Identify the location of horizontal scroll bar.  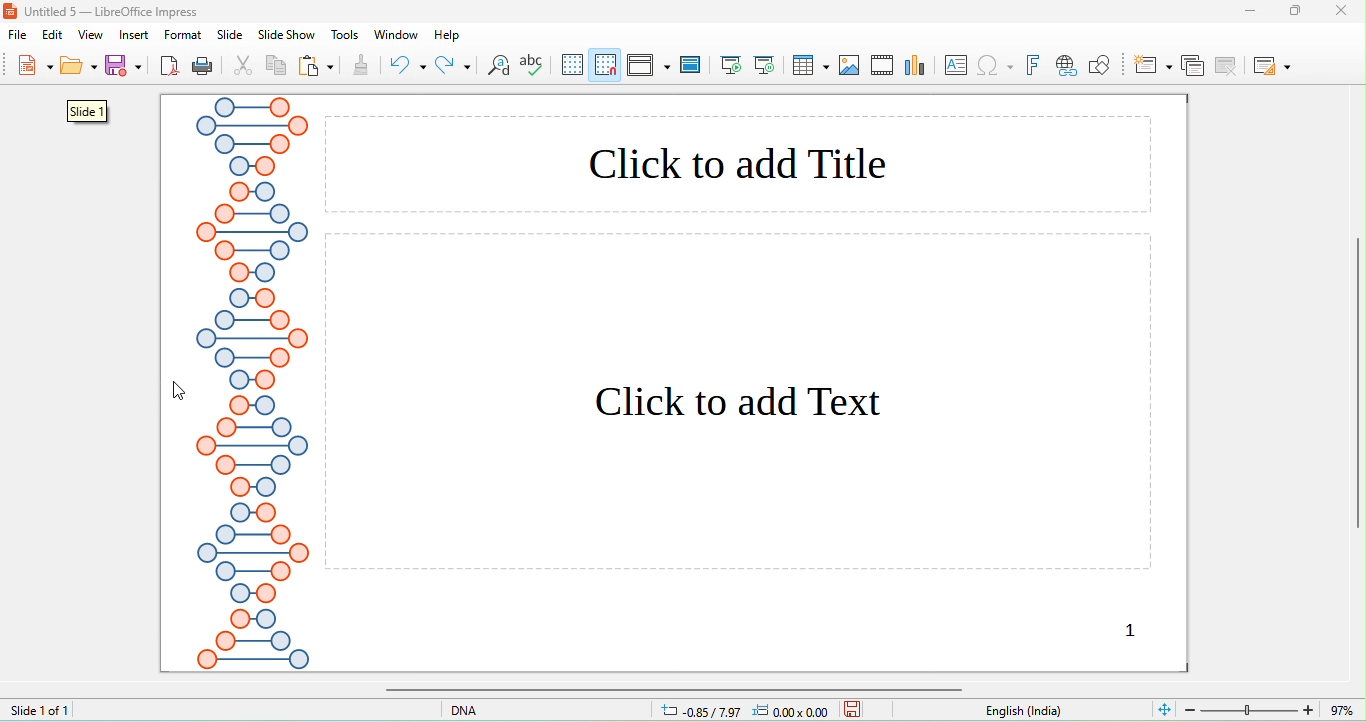
(668, 689).